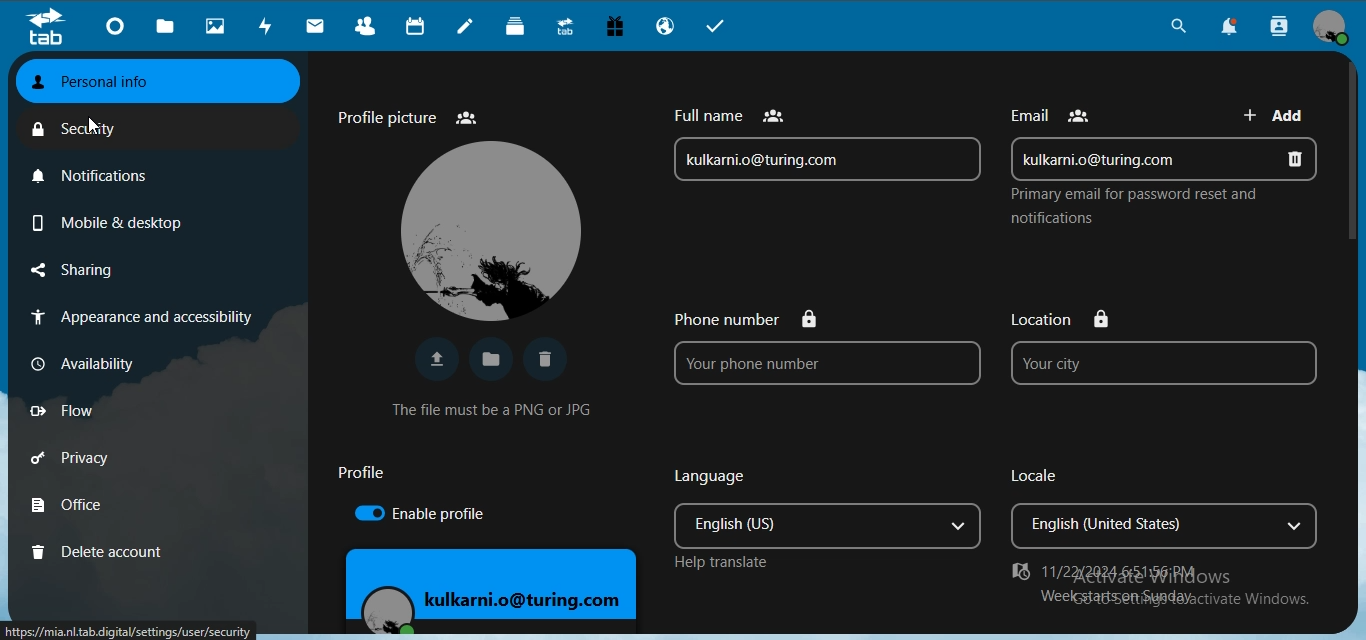 Image resolution: width=1366 pixels, height=640 pixels. I want to click on activity, so click(269, 26).